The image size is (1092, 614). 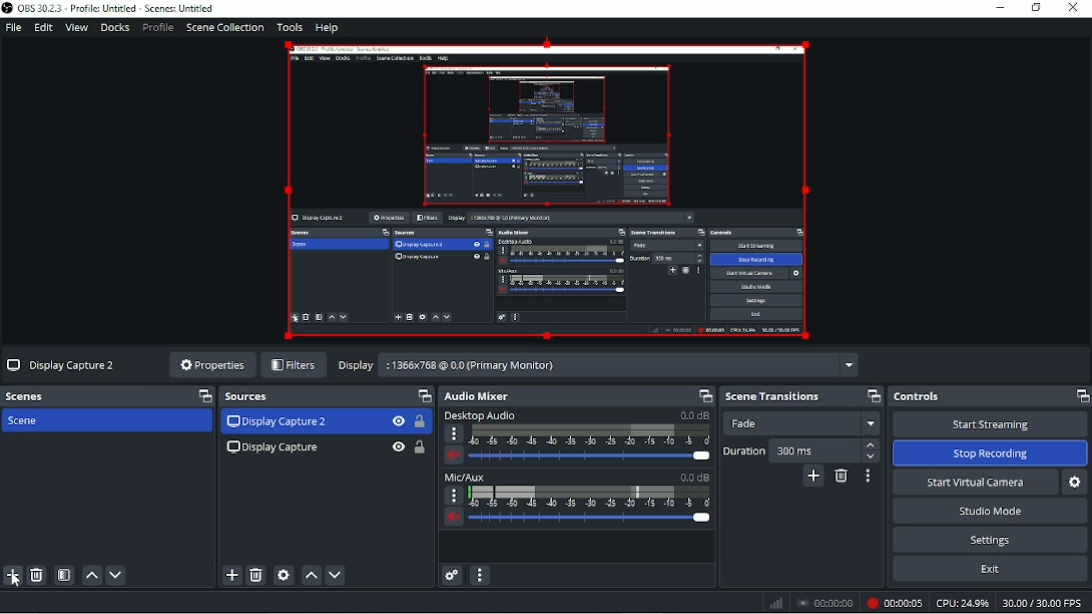 I want to click on View, so click(x=76, y=29).